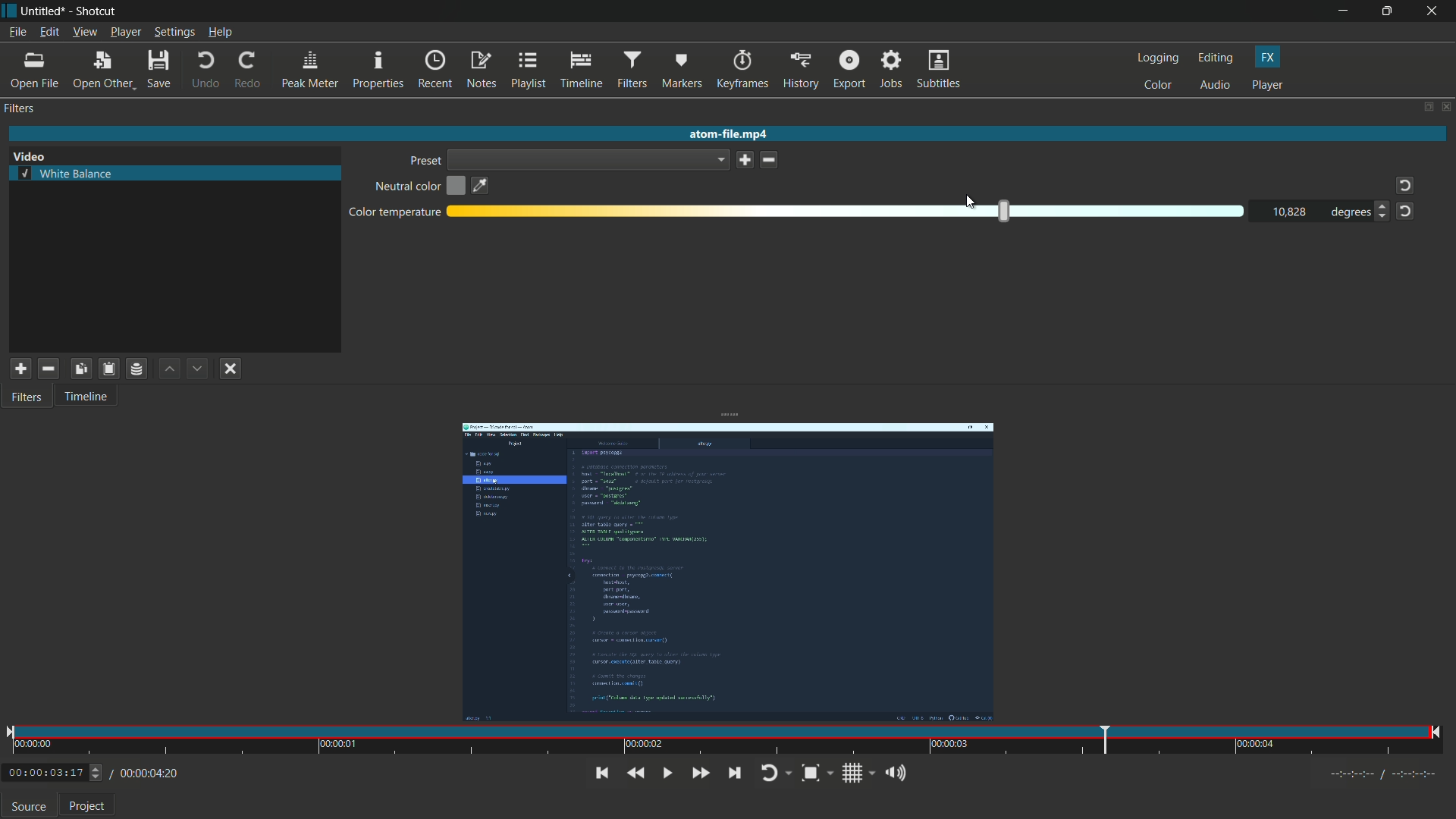  Describe the element at coordinates (665, 773) in the screenshot. I see `toggle play or pause` at that location.